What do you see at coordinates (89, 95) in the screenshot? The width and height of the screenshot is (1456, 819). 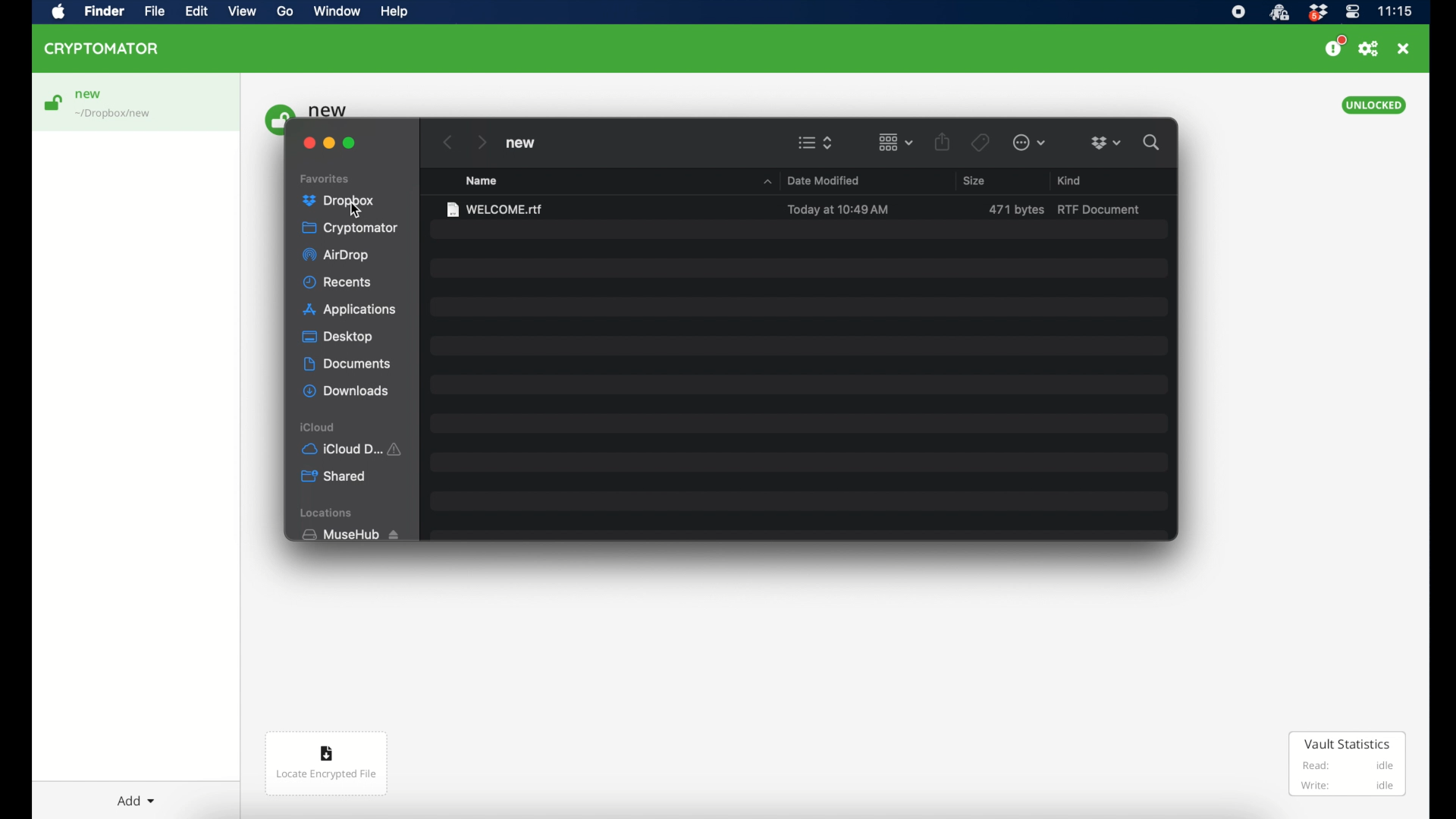 I see `new` at bounding box center [89, 95].